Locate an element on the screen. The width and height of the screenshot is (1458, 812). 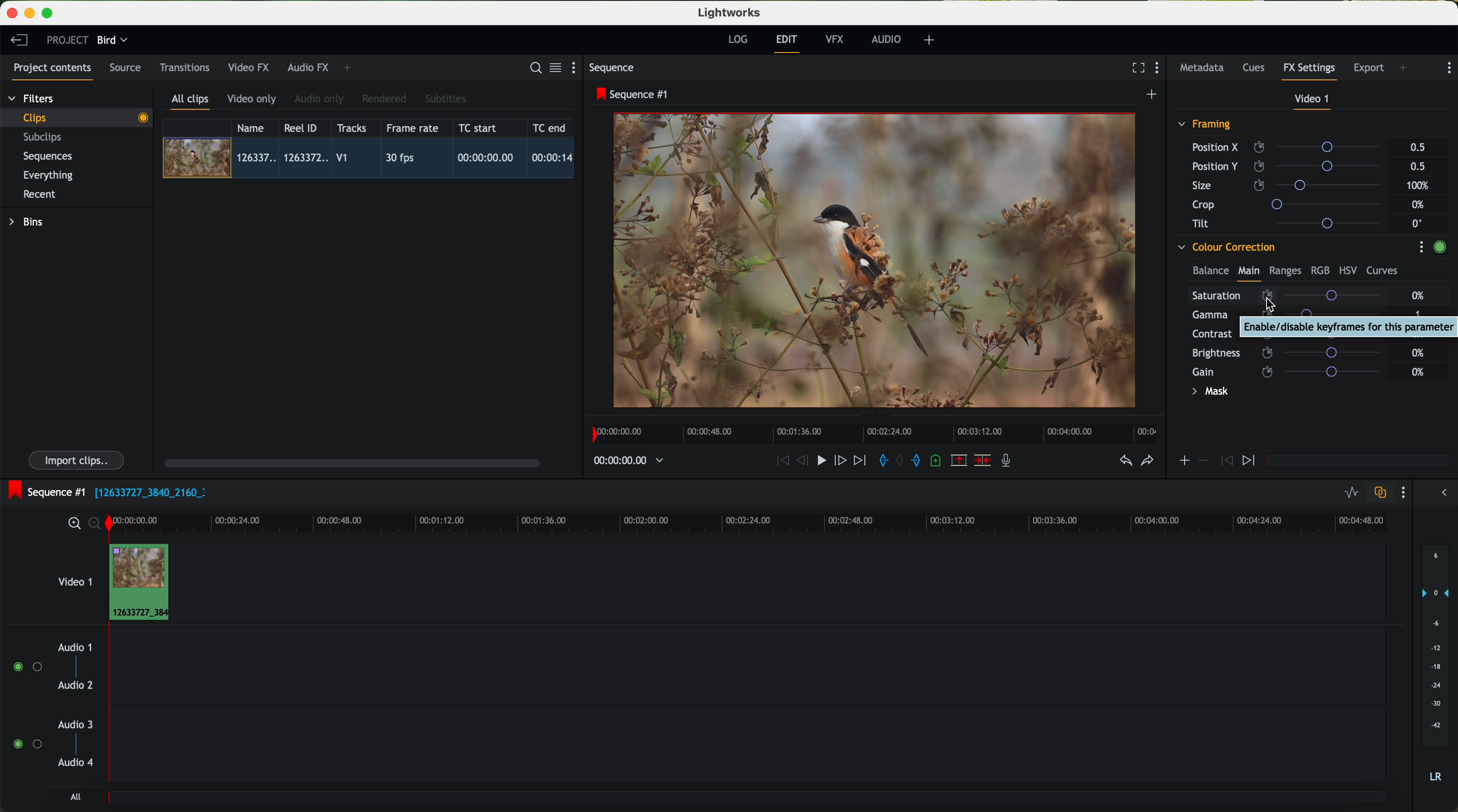
drag video to video track 1 is located at coordinates (144, 583).